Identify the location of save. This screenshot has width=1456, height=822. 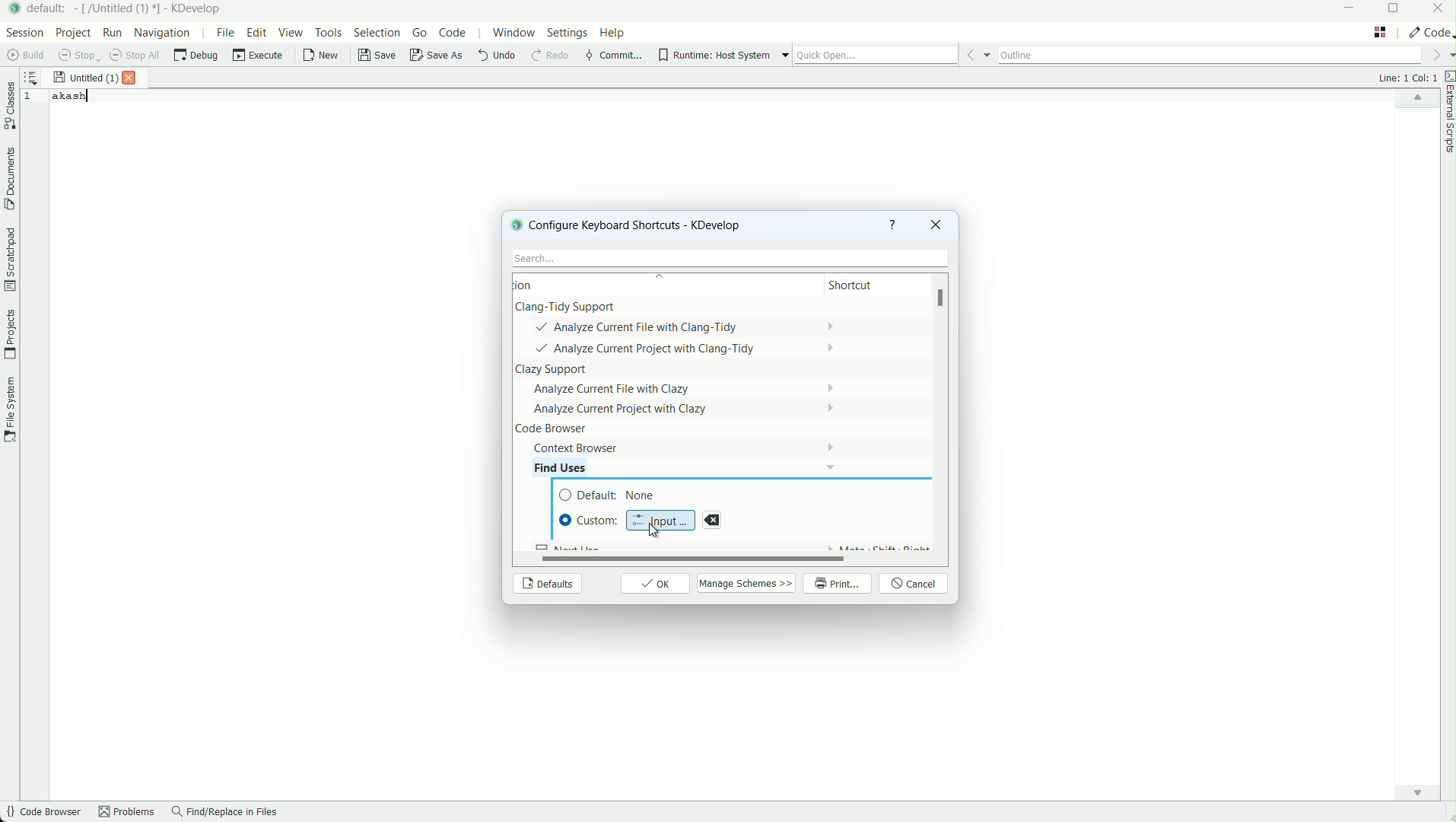
(378, 56).